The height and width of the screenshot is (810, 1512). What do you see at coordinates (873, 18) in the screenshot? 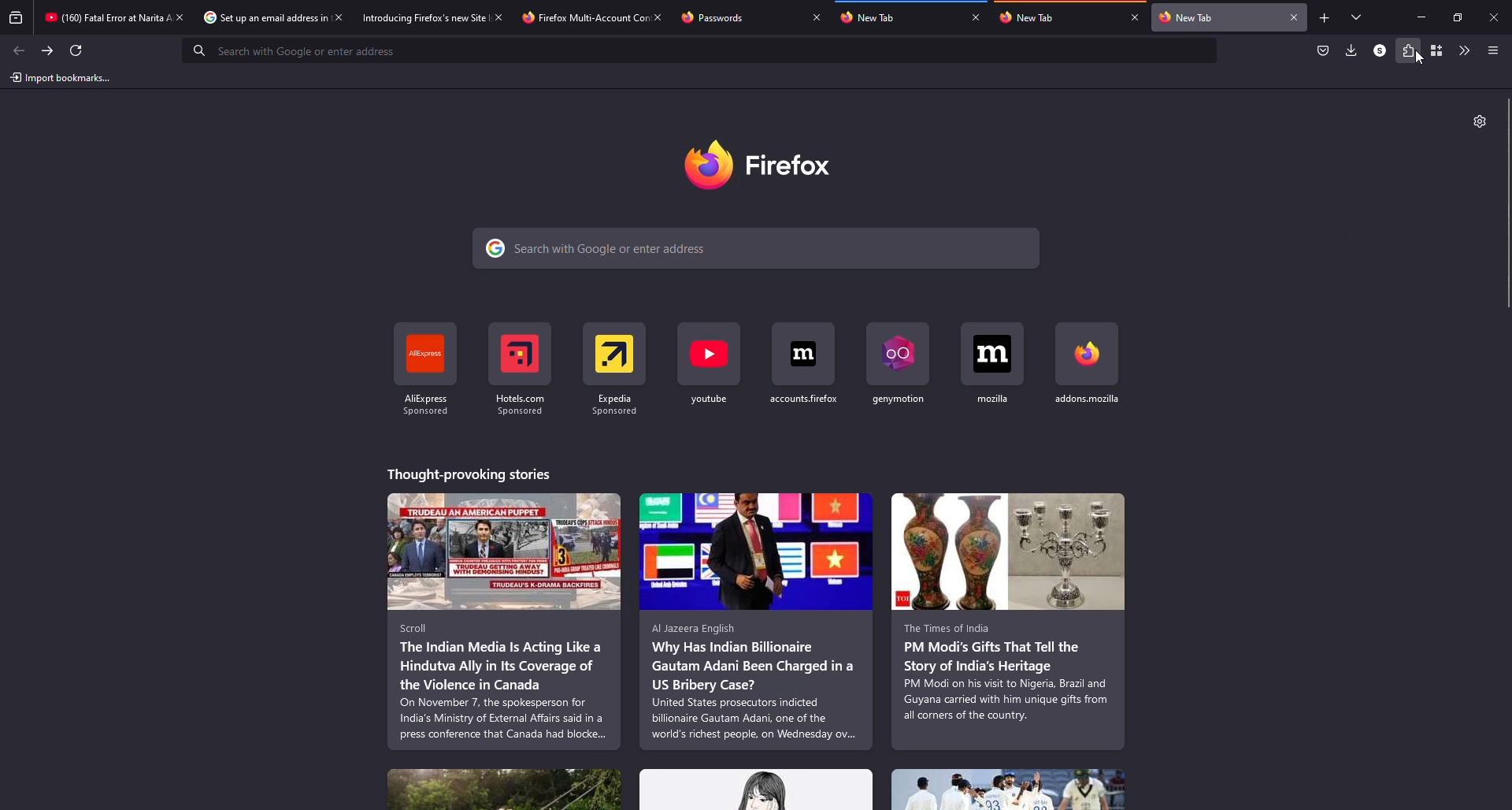
I see `tab` at bounding box center [873, 18].